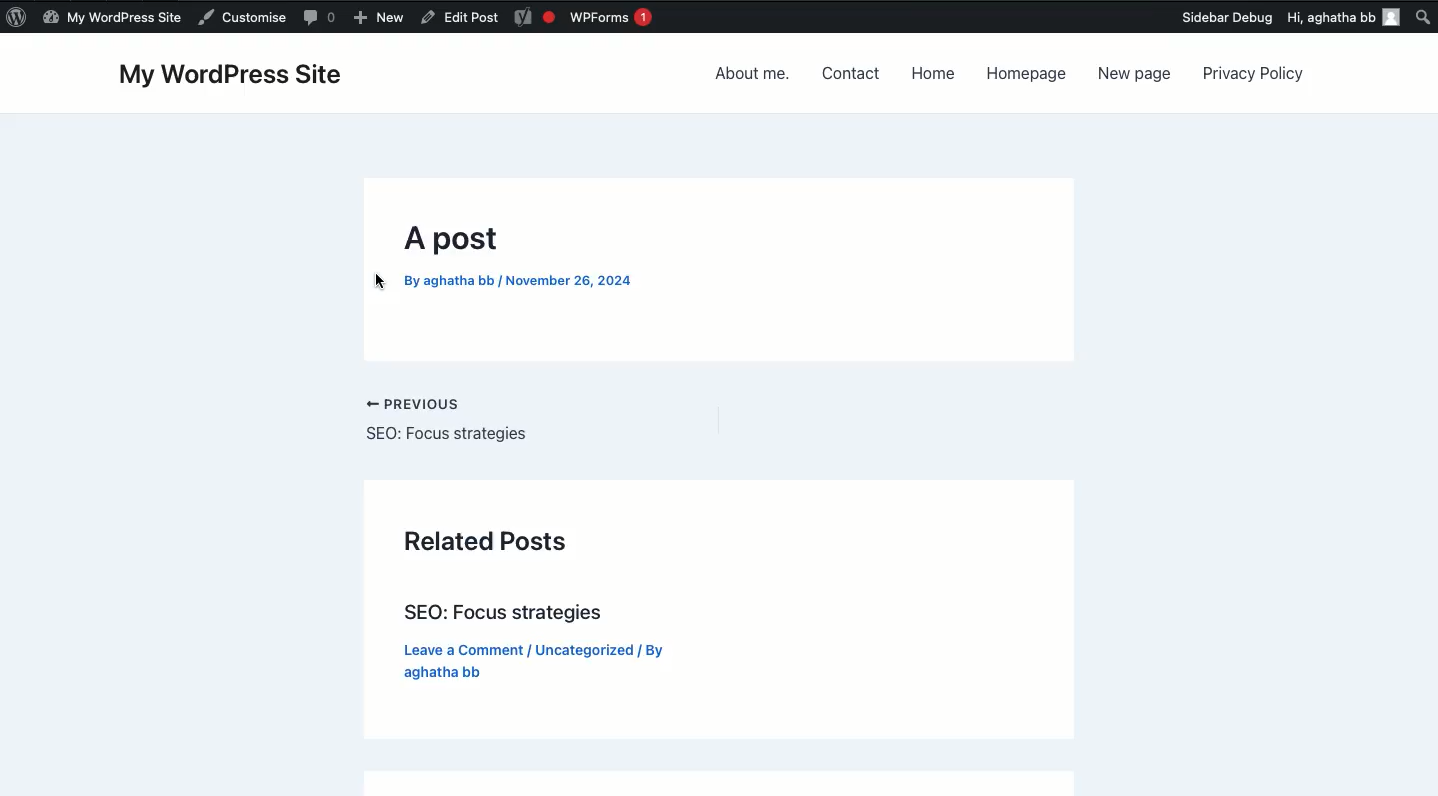 The image size is (1438, 796). What do you see at coordinates (519, 265) in the screenshot?
I see `Post` at bounding box center [519, 265].